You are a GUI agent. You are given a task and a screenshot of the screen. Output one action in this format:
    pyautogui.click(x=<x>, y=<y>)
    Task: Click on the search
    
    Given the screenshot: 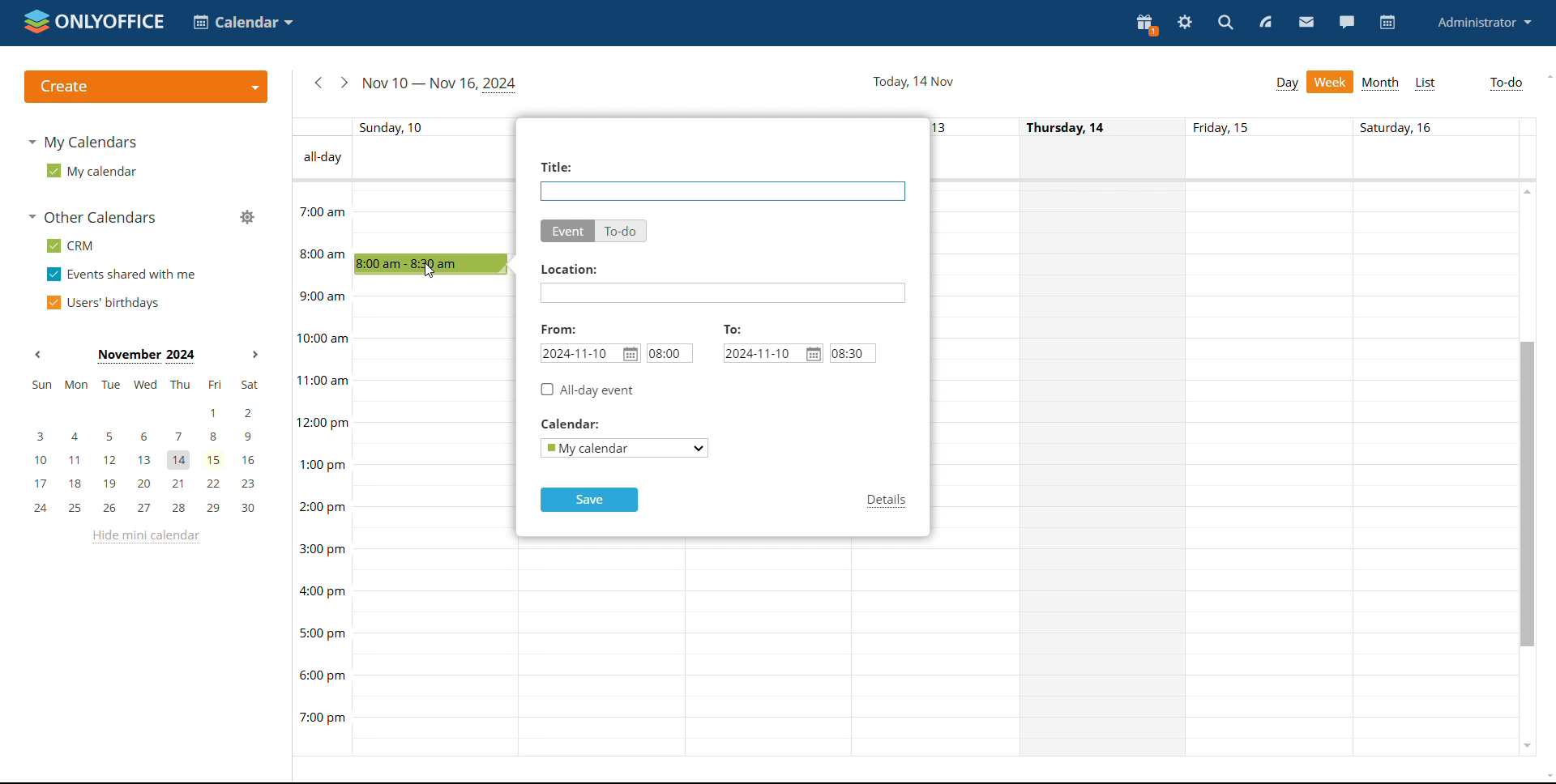 What is the action you would take?
    pyautogui.click(x=1225, y=23)
    